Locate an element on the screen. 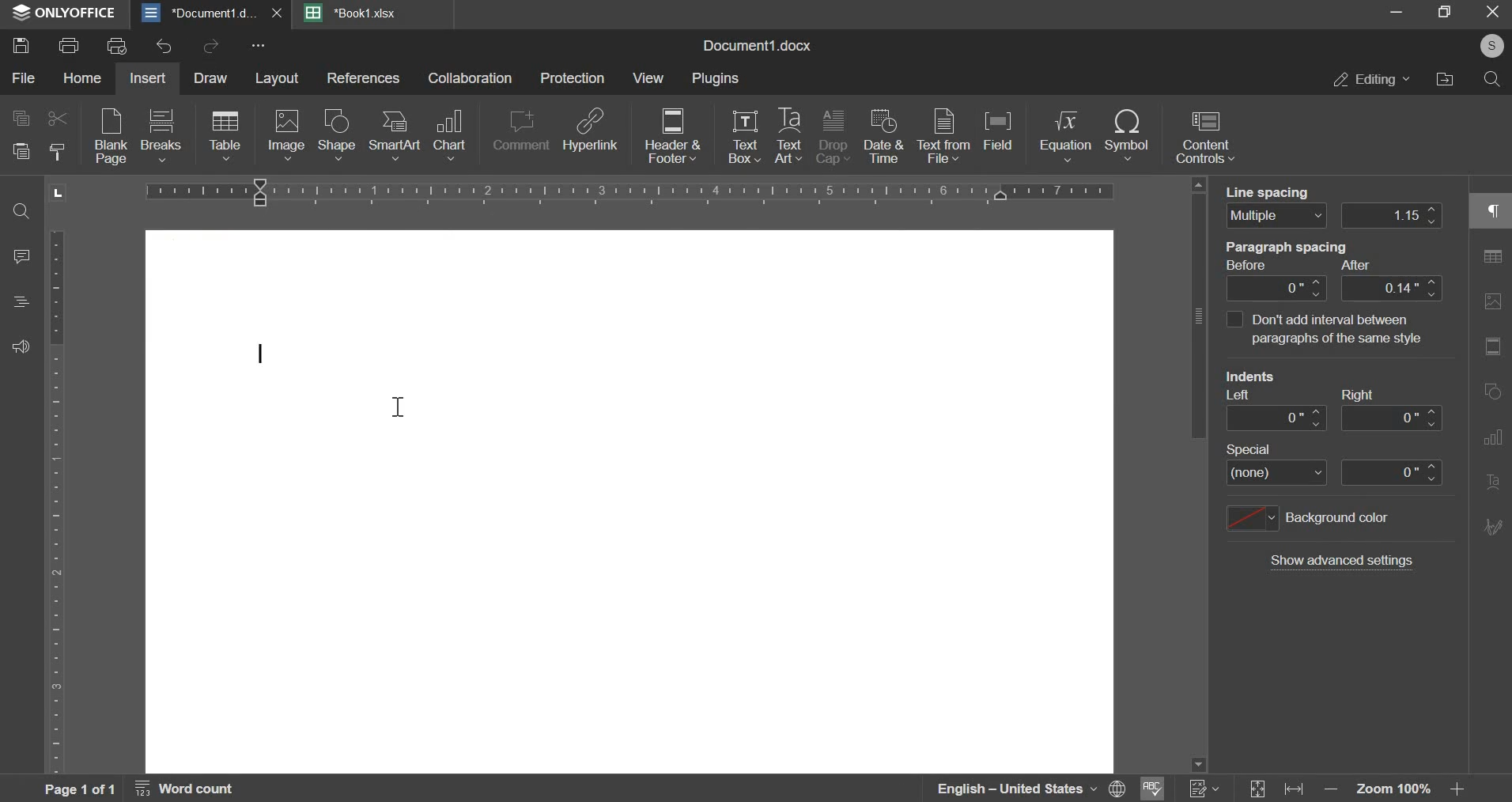  symbol is located at coordinates (1127, 138).